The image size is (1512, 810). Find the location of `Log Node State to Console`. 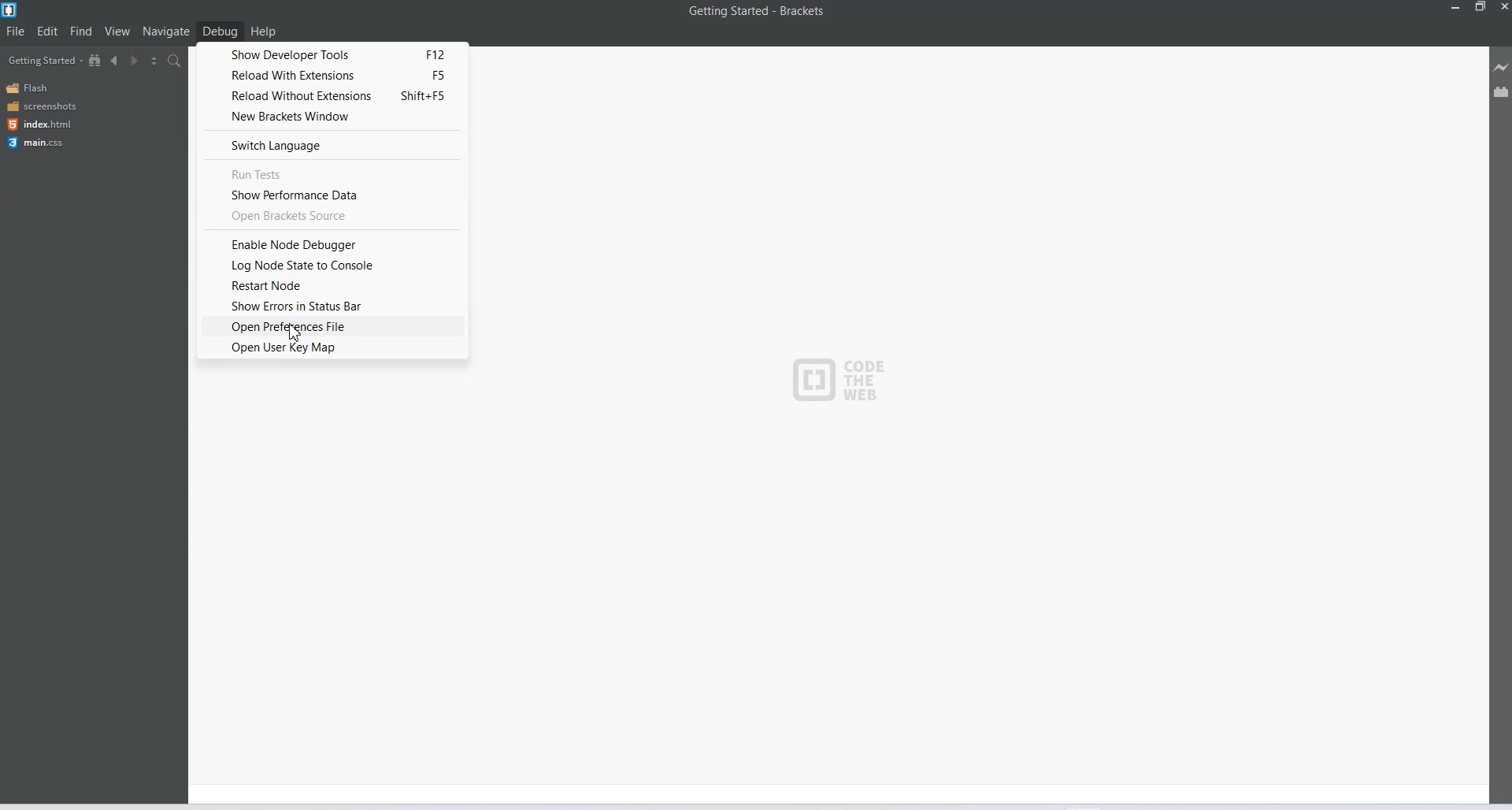

Log Node State to Console is located at coordinates (330, 265).